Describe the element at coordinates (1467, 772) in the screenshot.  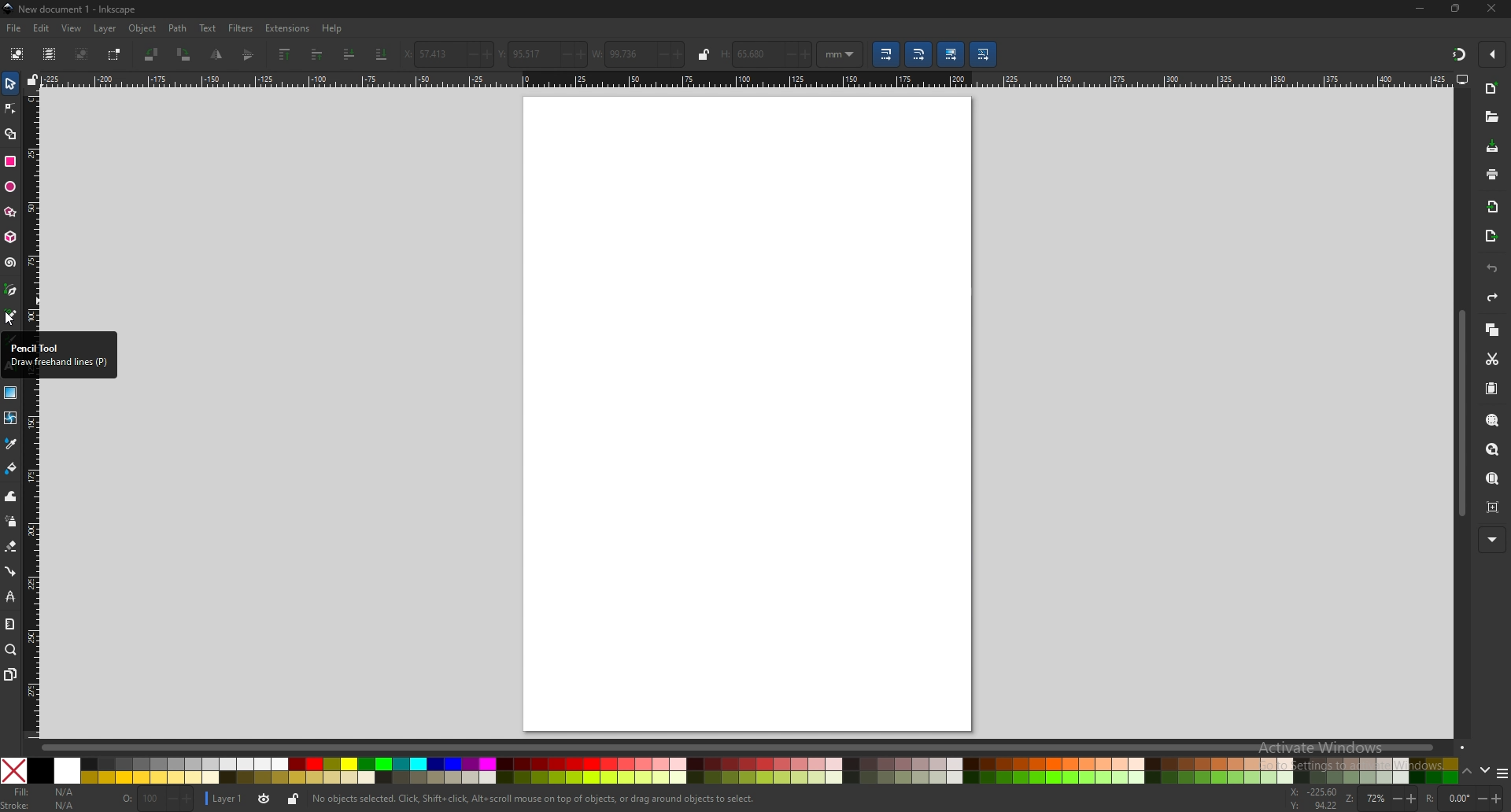
I see `up` at that location.